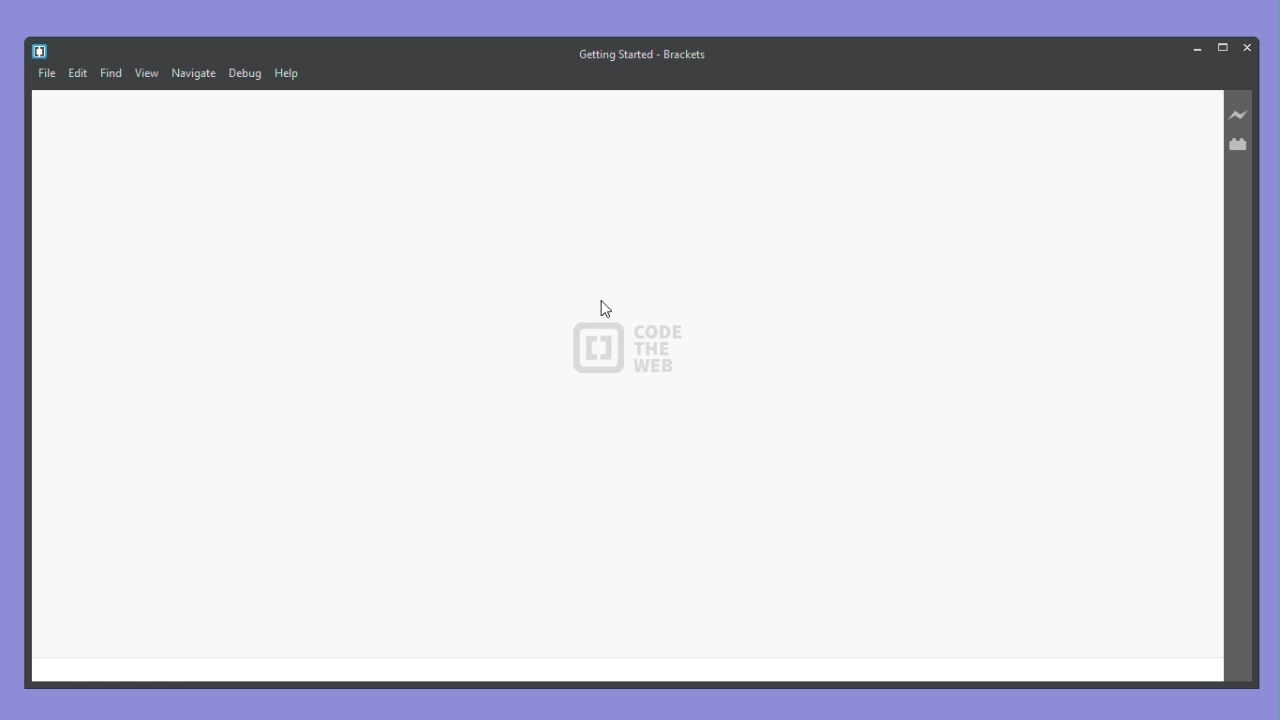 This screenshot has height=720, width=1280. I want to click on CODE THE WEB, so click(610, 352).